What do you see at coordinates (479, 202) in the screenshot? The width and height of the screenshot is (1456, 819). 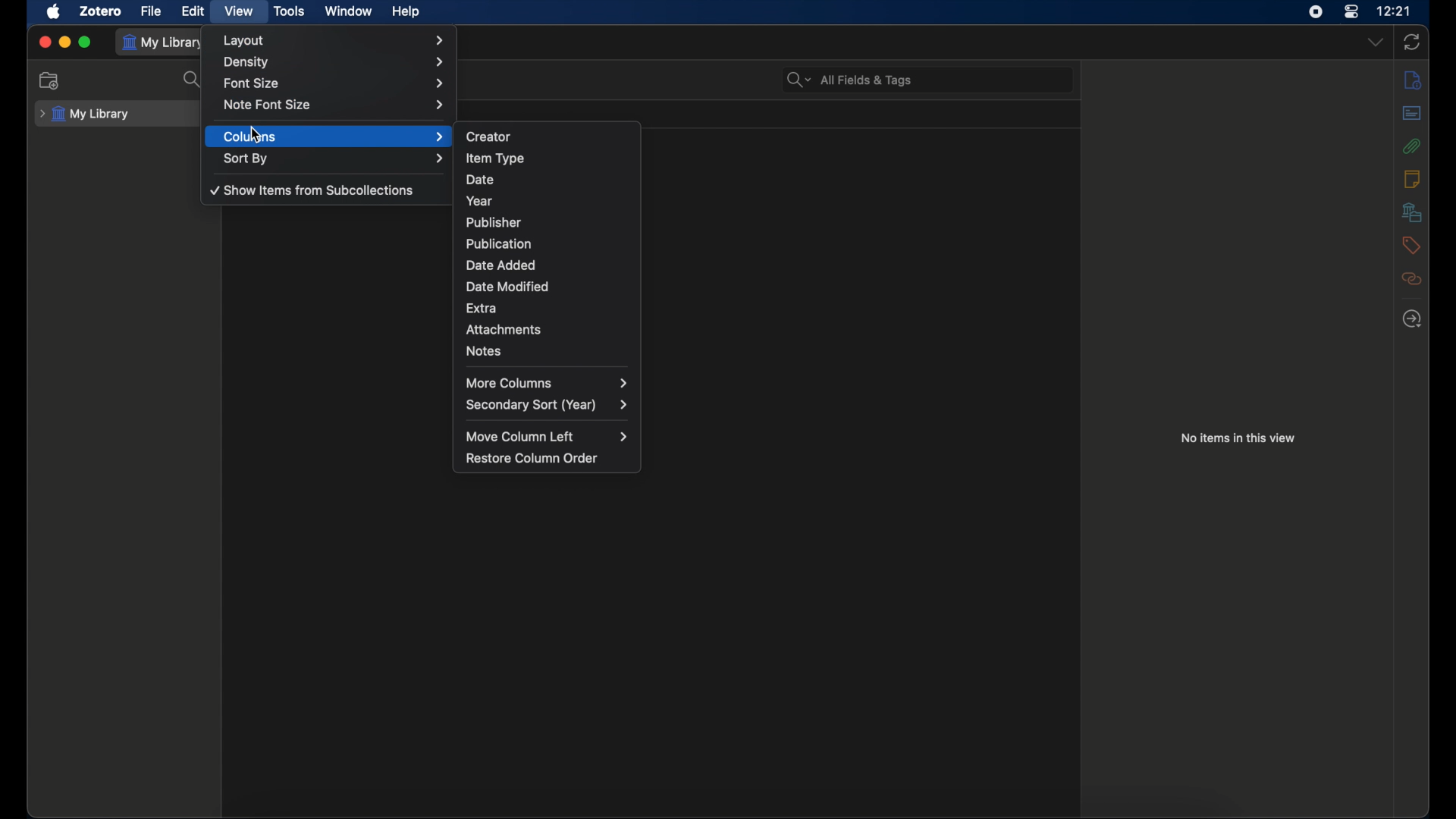 I see `year` at bounding box center [479, 202].